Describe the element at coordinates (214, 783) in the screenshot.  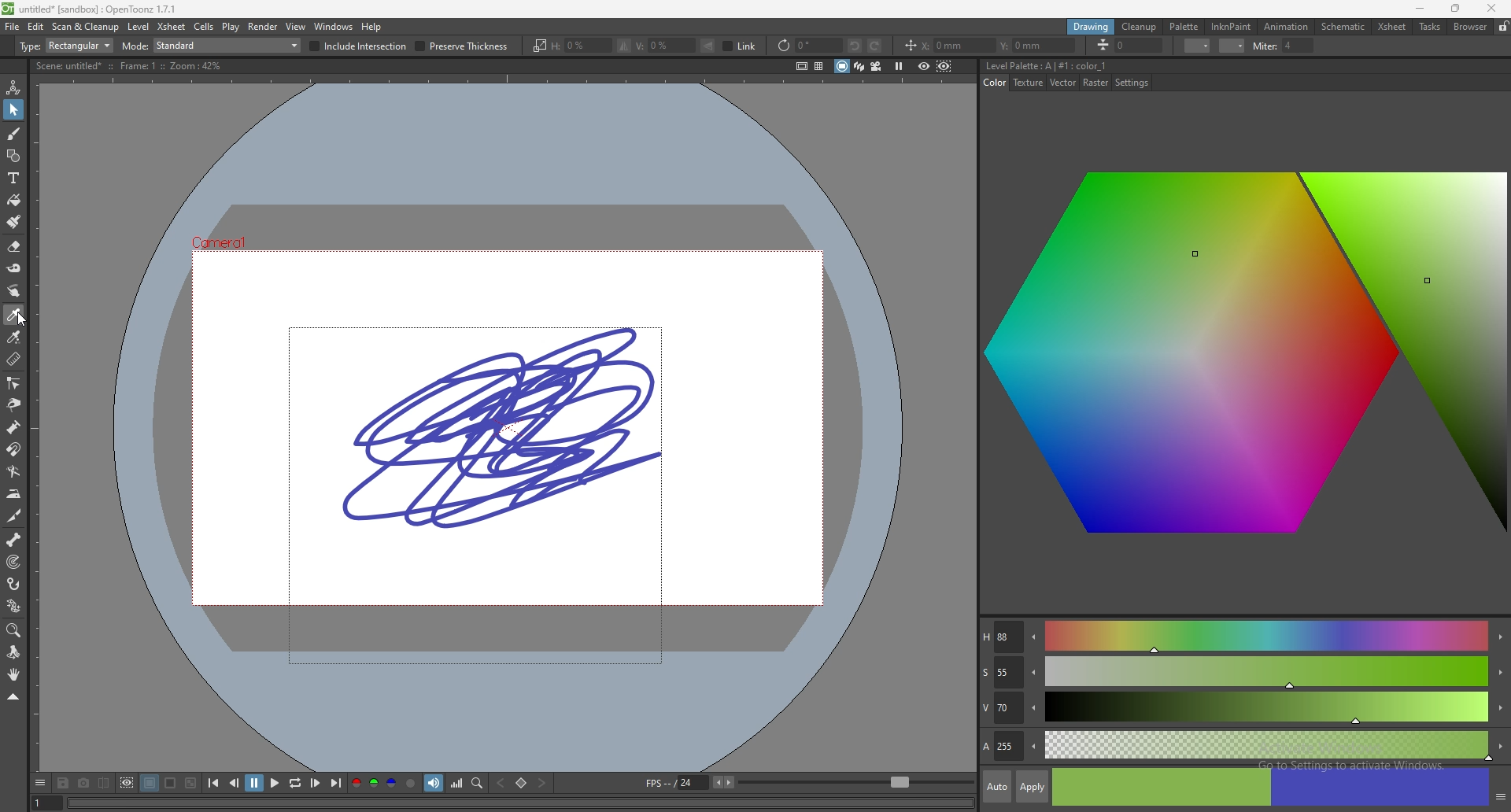
I see `first frame` at that location.